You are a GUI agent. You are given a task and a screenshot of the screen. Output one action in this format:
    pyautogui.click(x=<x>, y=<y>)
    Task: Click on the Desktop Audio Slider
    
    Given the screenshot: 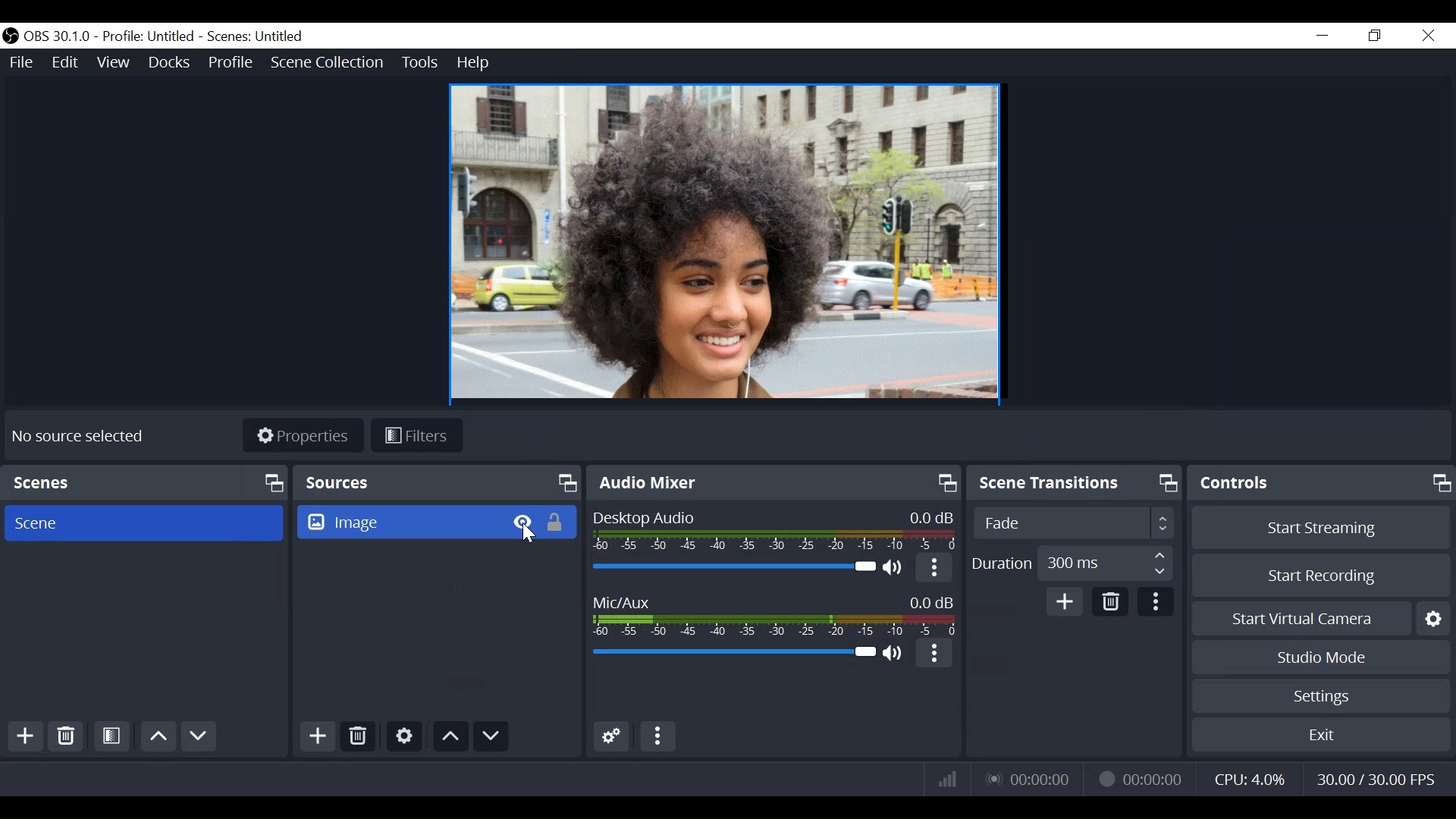 What is the action you would take?
    pyautogui.click(x=732, y=566)
    